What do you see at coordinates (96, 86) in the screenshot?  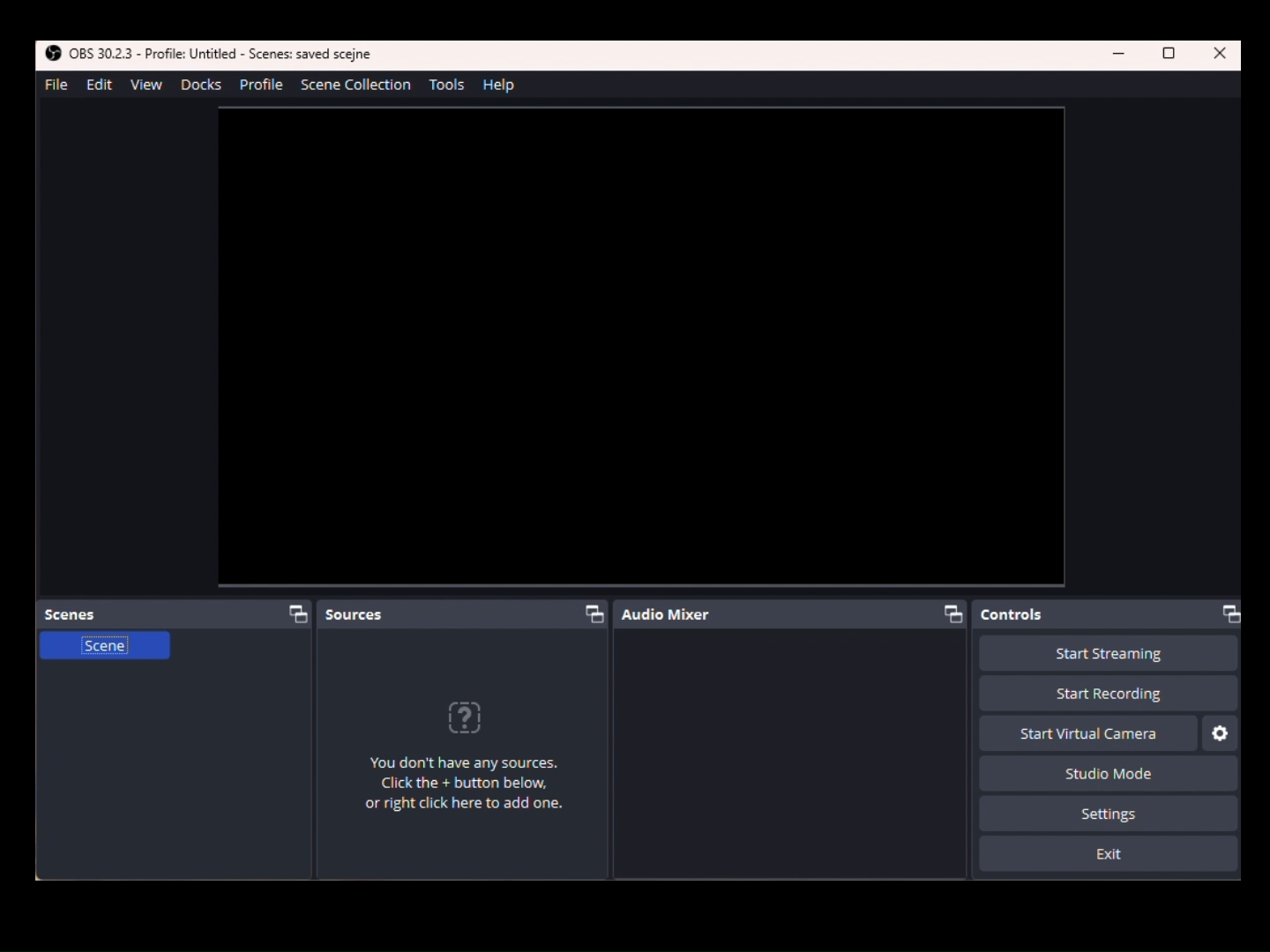 I see `Edit` at bounding box center [96, 86].